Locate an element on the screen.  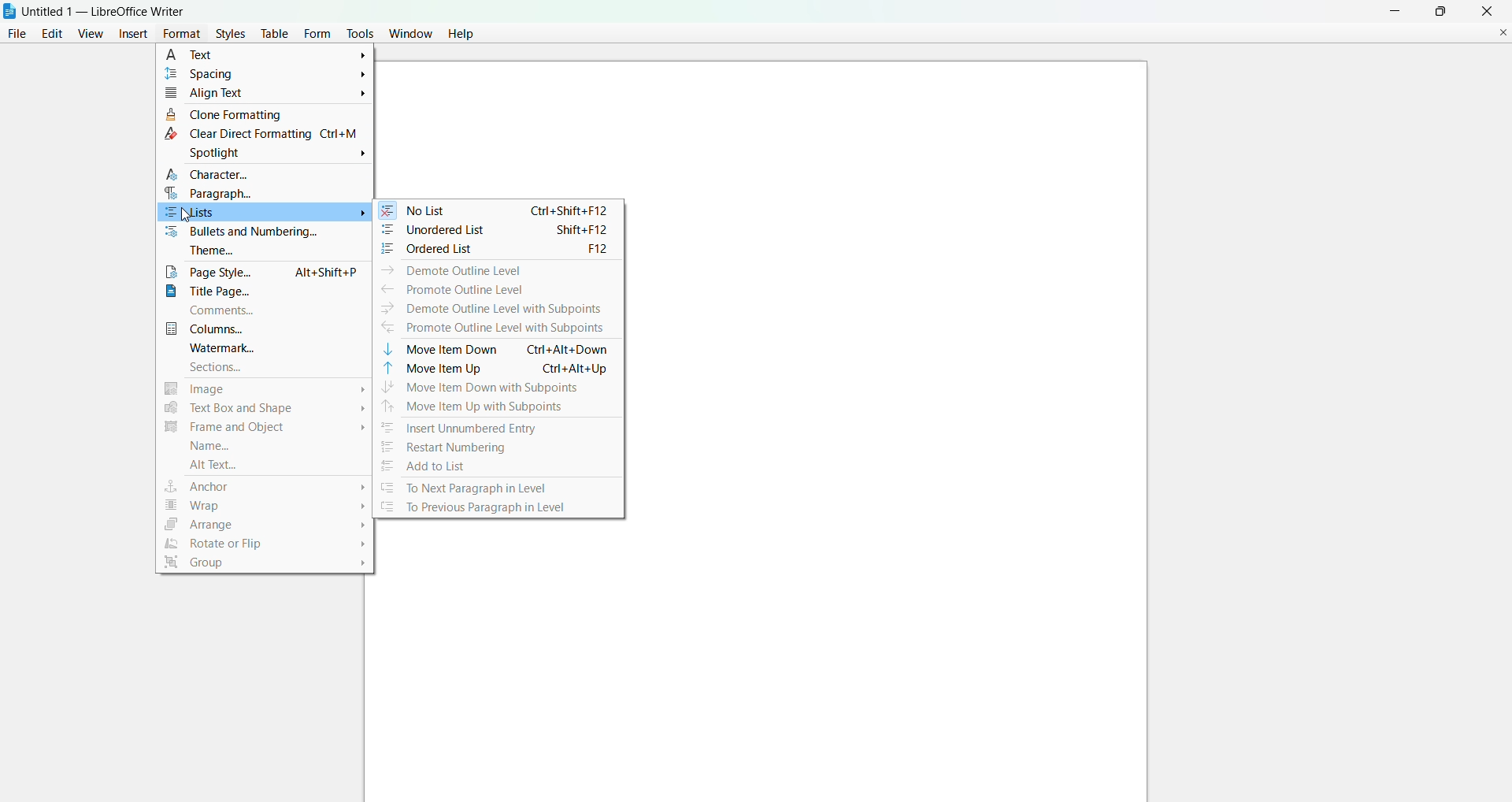
insert unumbered entry is located at coordinates (464, 428).